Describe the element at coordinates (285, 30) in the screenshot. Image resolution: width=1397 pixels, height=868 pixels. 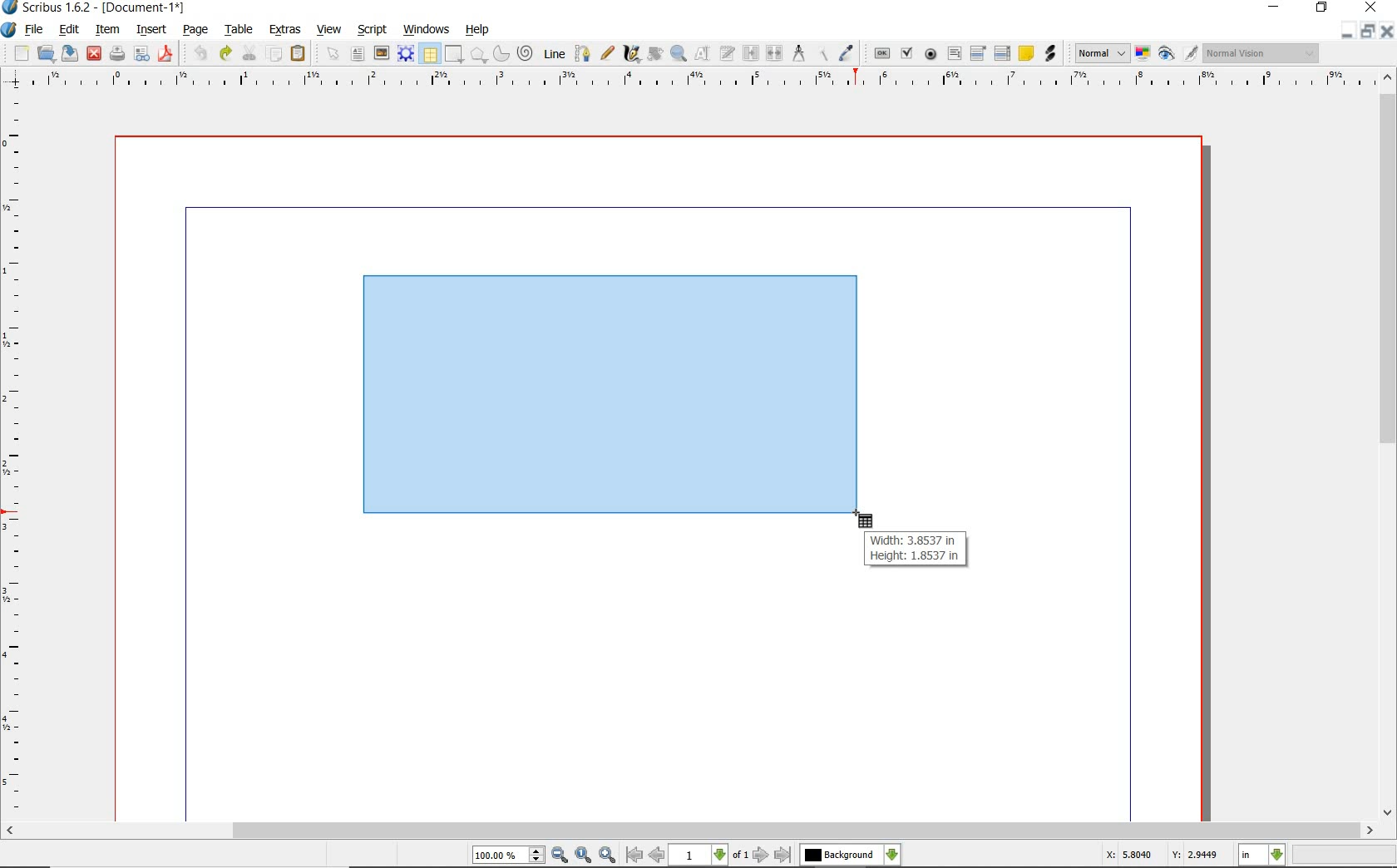
I see `extras` at that location.